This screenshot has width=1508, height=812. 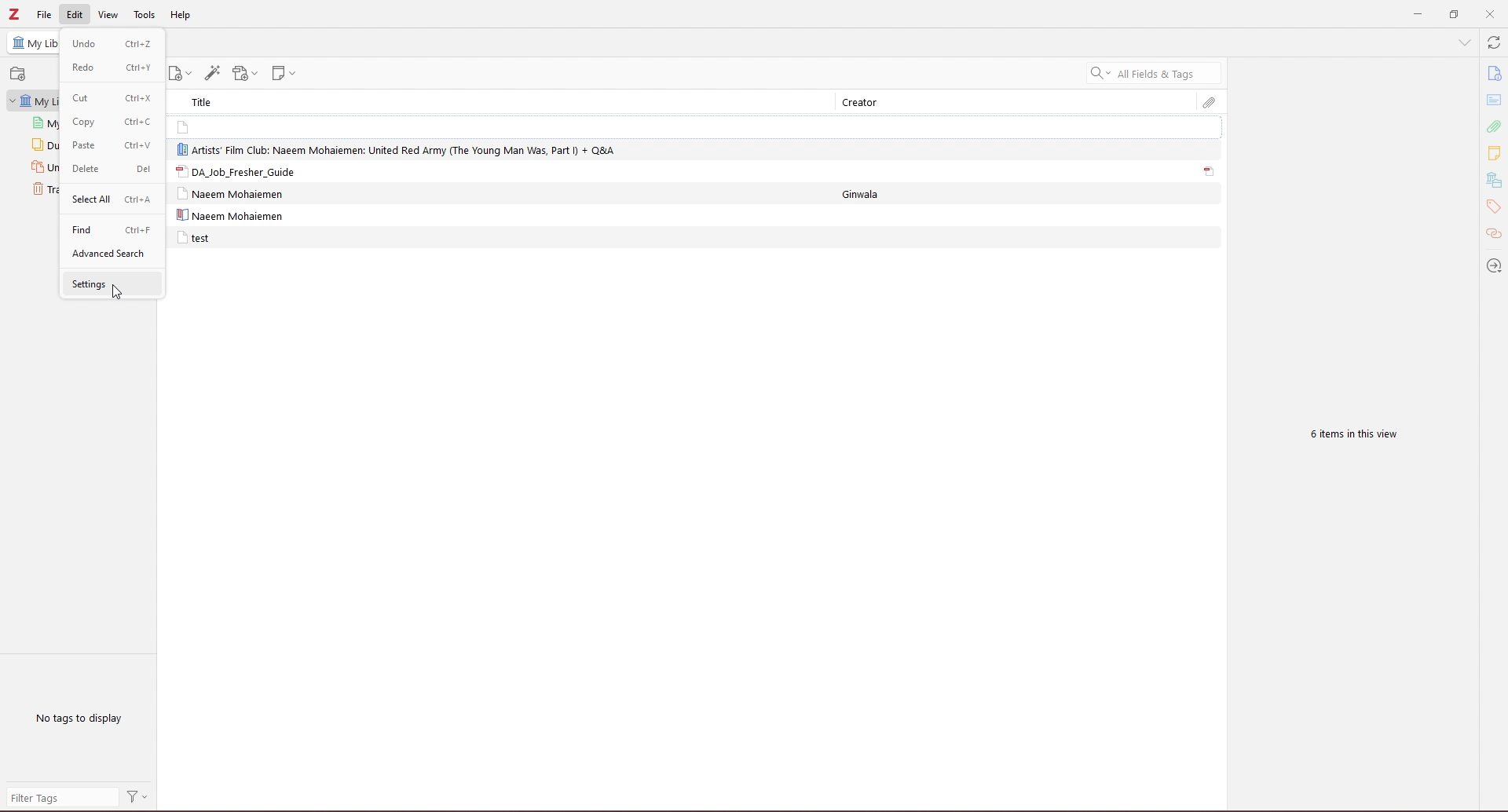 What do you see at coordinates (235, 194) in the screenshot?
I see `Naeem Mohaiemen` at bounding box center [235, 194].